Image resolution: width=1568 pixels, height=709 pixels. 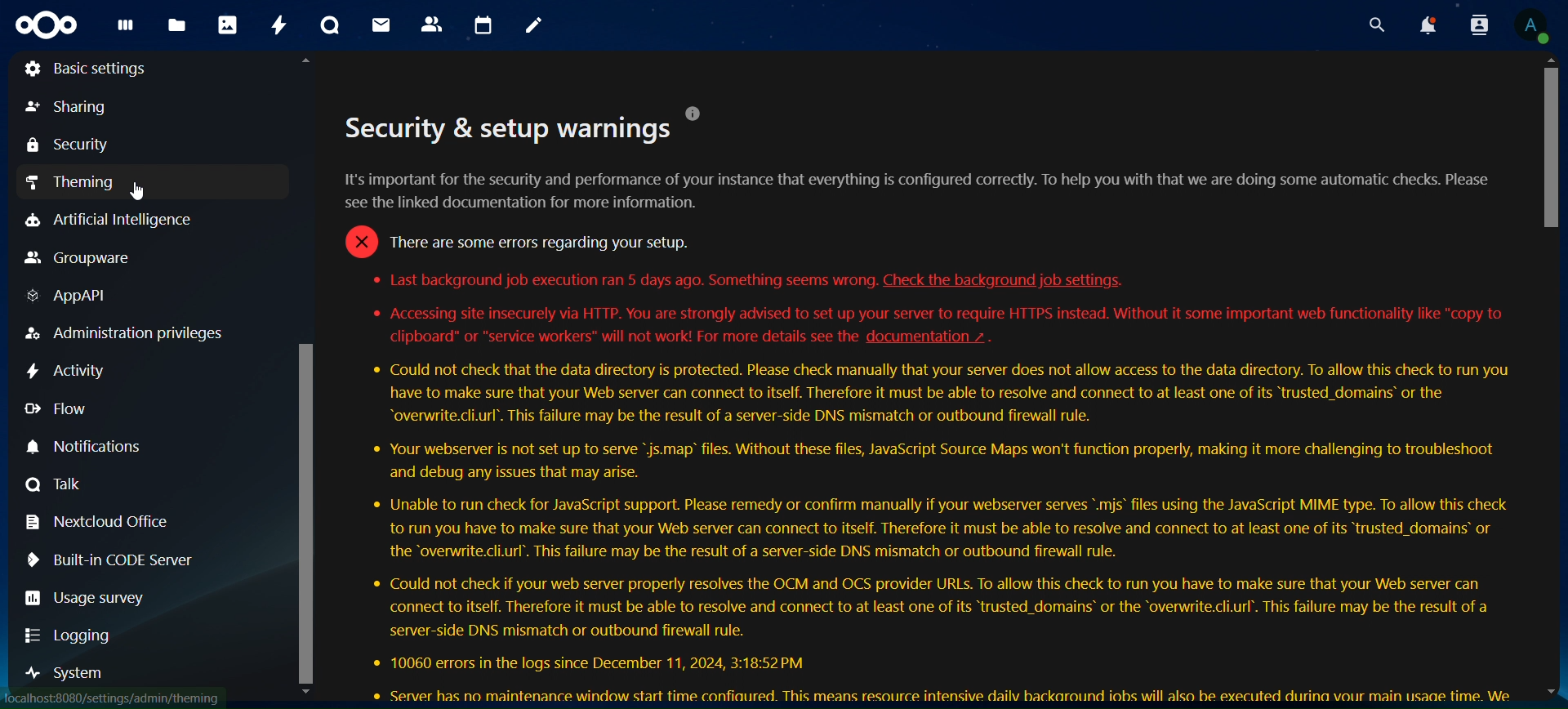 I want to click on search, so click(x=1379, y=25).